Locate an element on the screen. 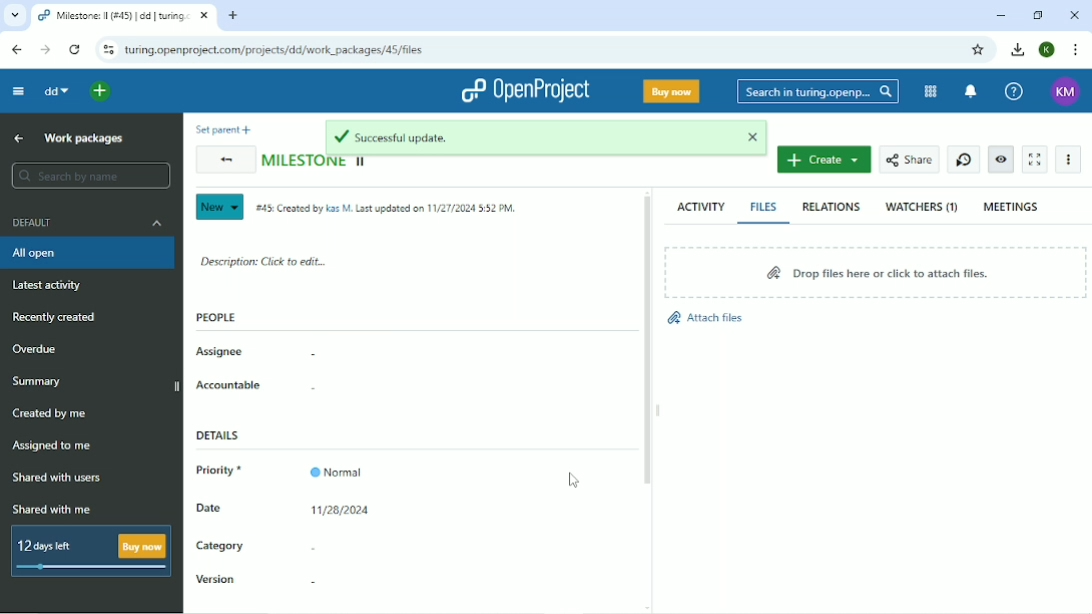  Details is located at coordinates (223, 436).